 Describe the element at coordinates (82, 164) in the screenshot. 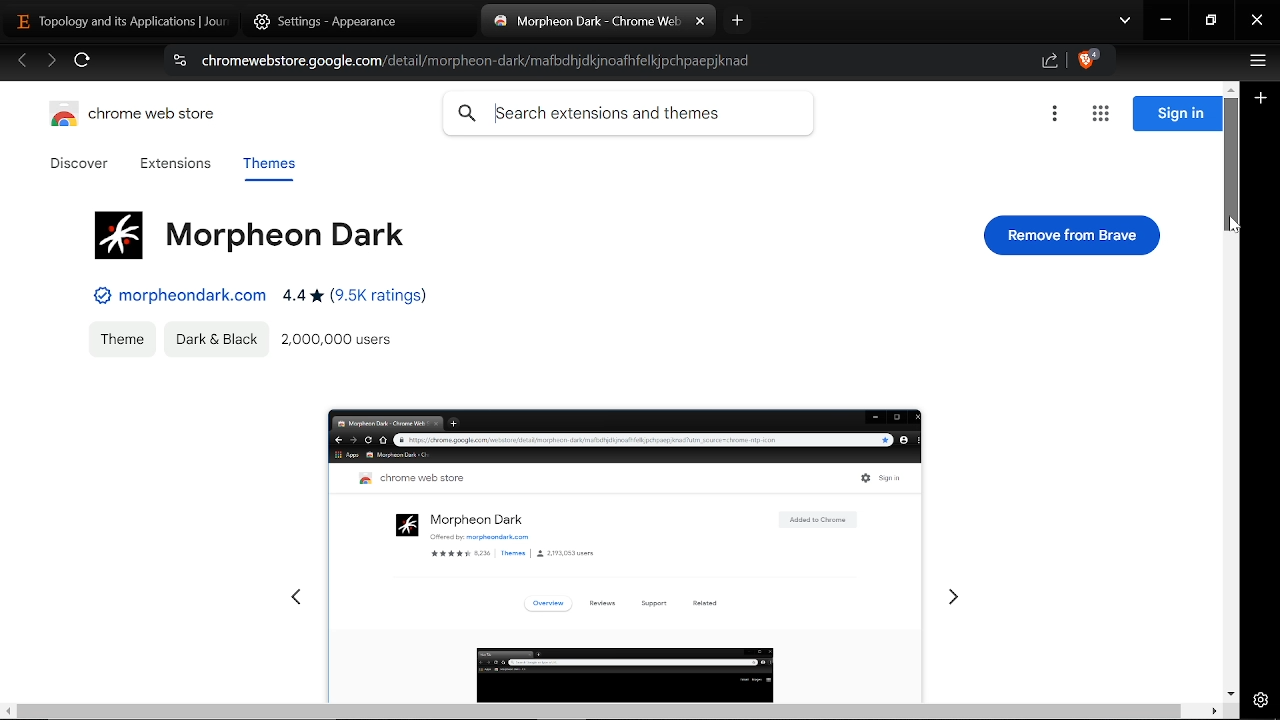

I see `Discover` at that location.